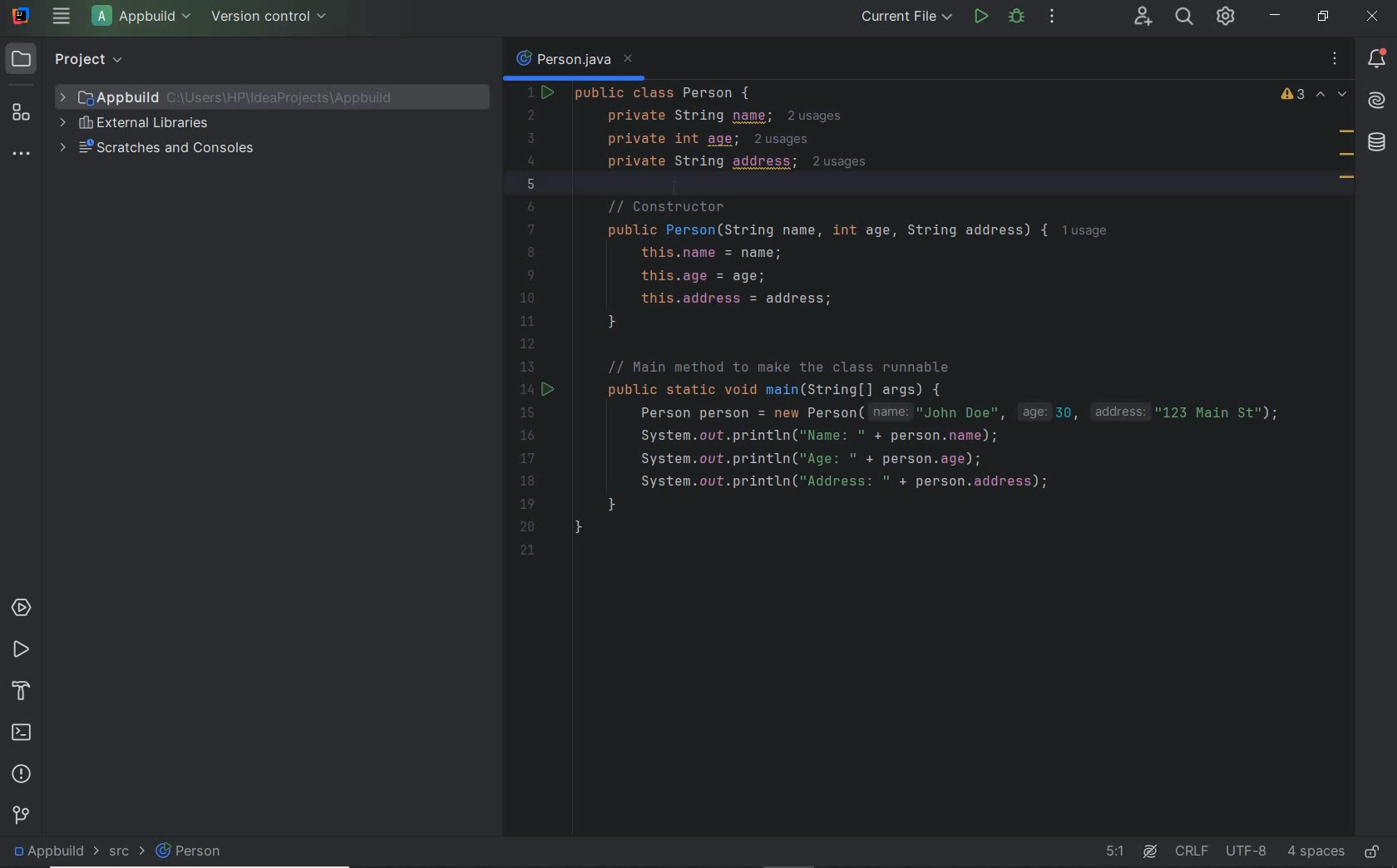  What do you see at coordinates (1335, 59) in the screenshot?
I see `recent files, tab actions` at bounding box center [1335, 59].